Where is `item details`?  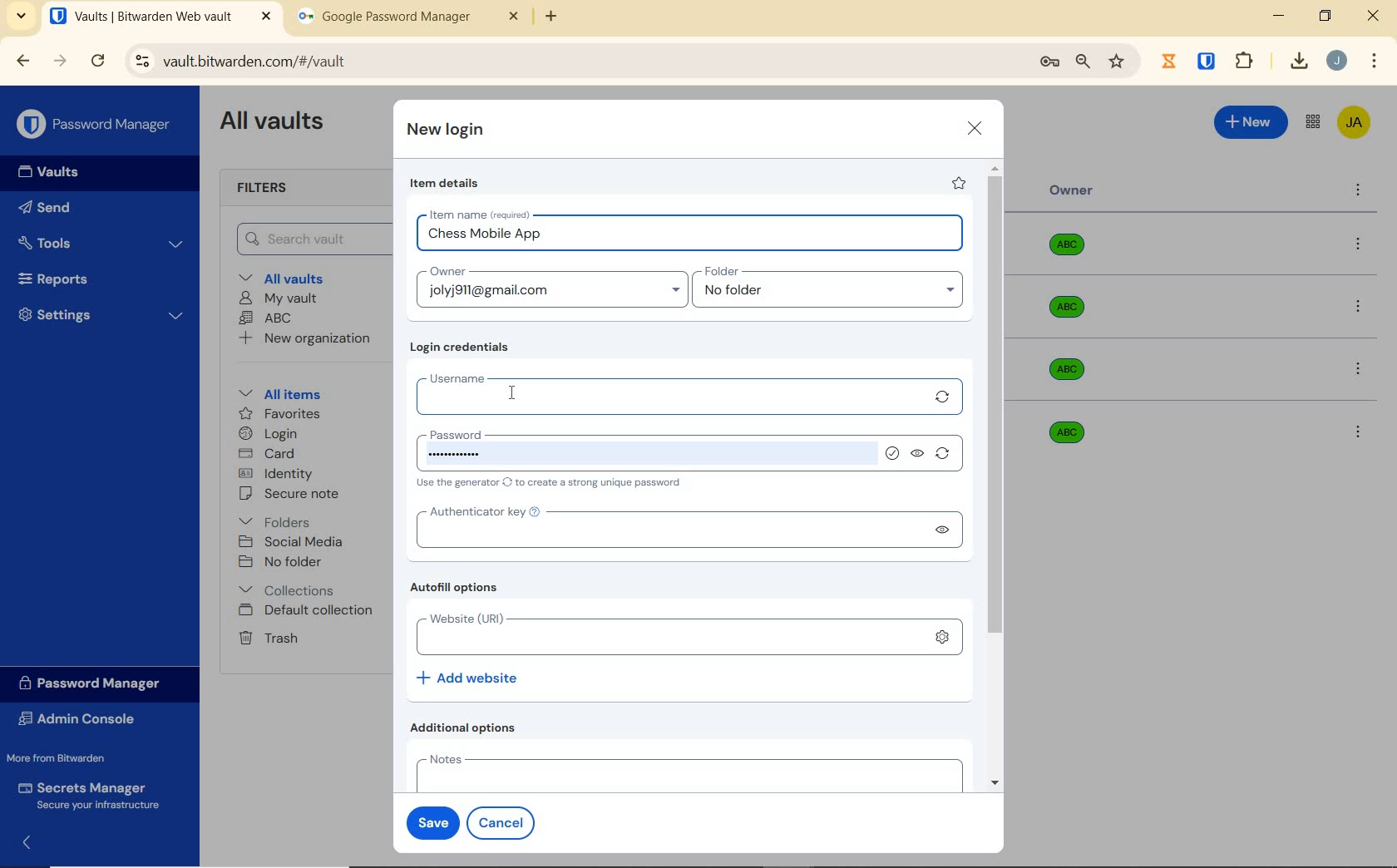
item details is located at coordinates (445, 184).